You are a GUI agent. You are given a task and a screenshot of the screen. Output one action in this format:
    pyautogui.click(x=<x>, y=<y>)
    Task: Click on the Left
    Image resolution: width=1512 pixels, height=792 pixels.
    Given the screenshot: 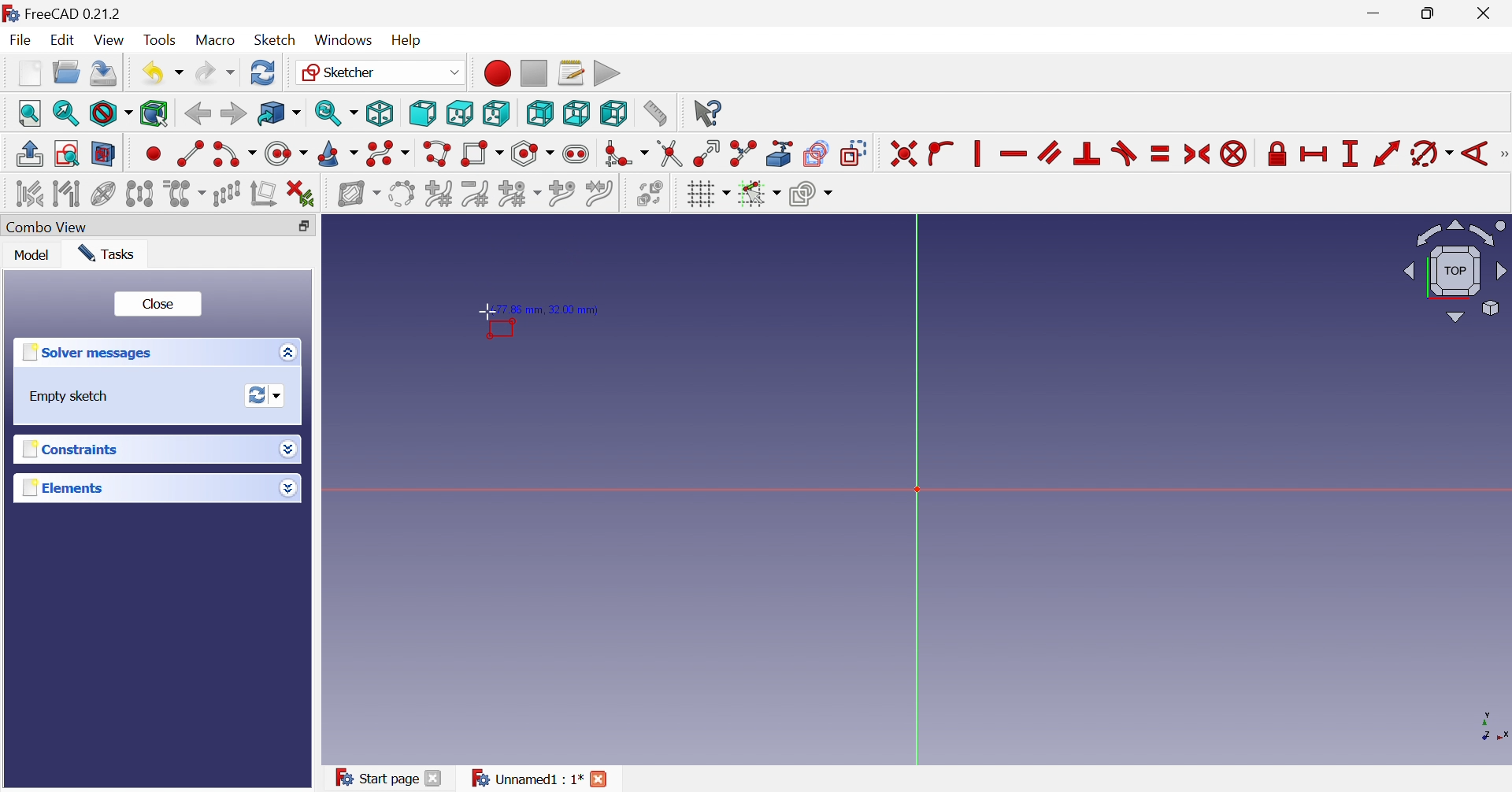 What is the action you would take?
    pyautogui.click(x=613, y=113)
    